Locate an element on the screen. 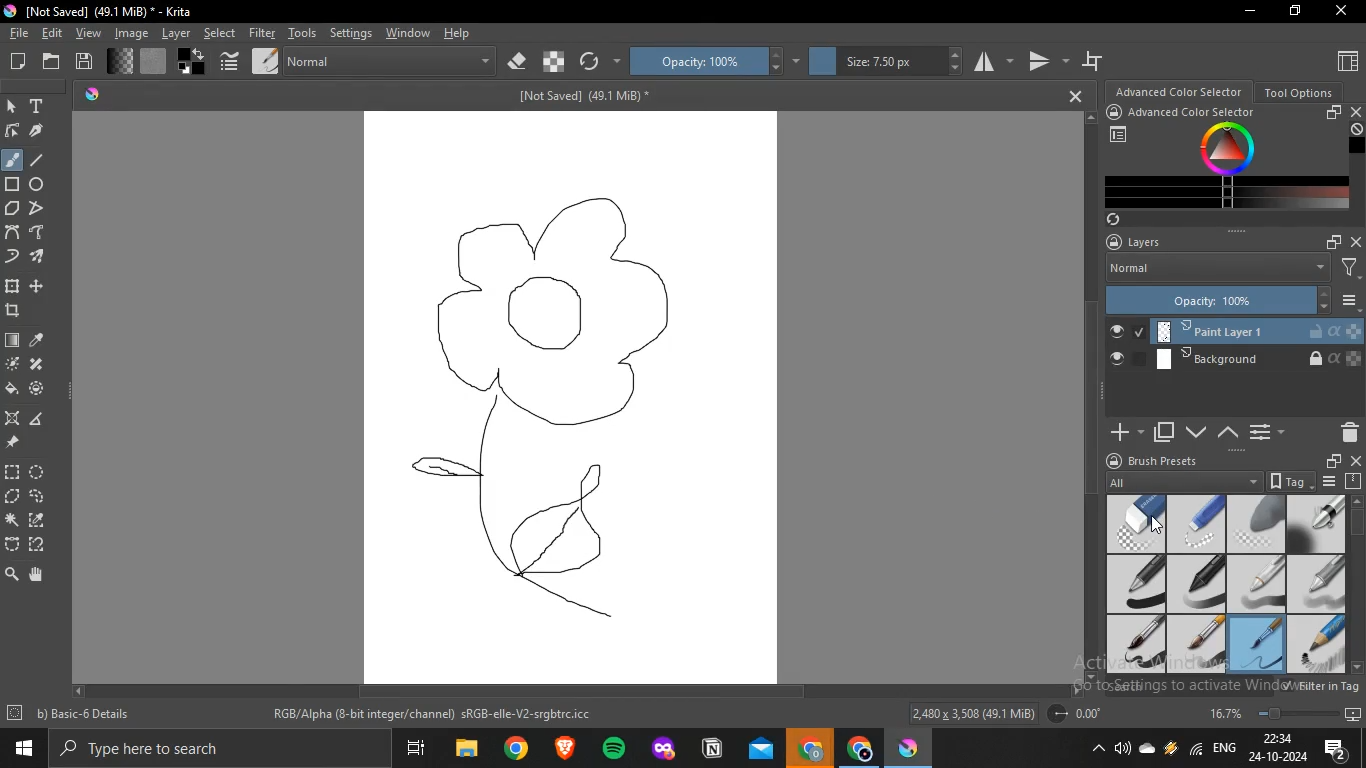 This screenshot has height=768, width=1366. pan tool is located at coordinates (37, 573).